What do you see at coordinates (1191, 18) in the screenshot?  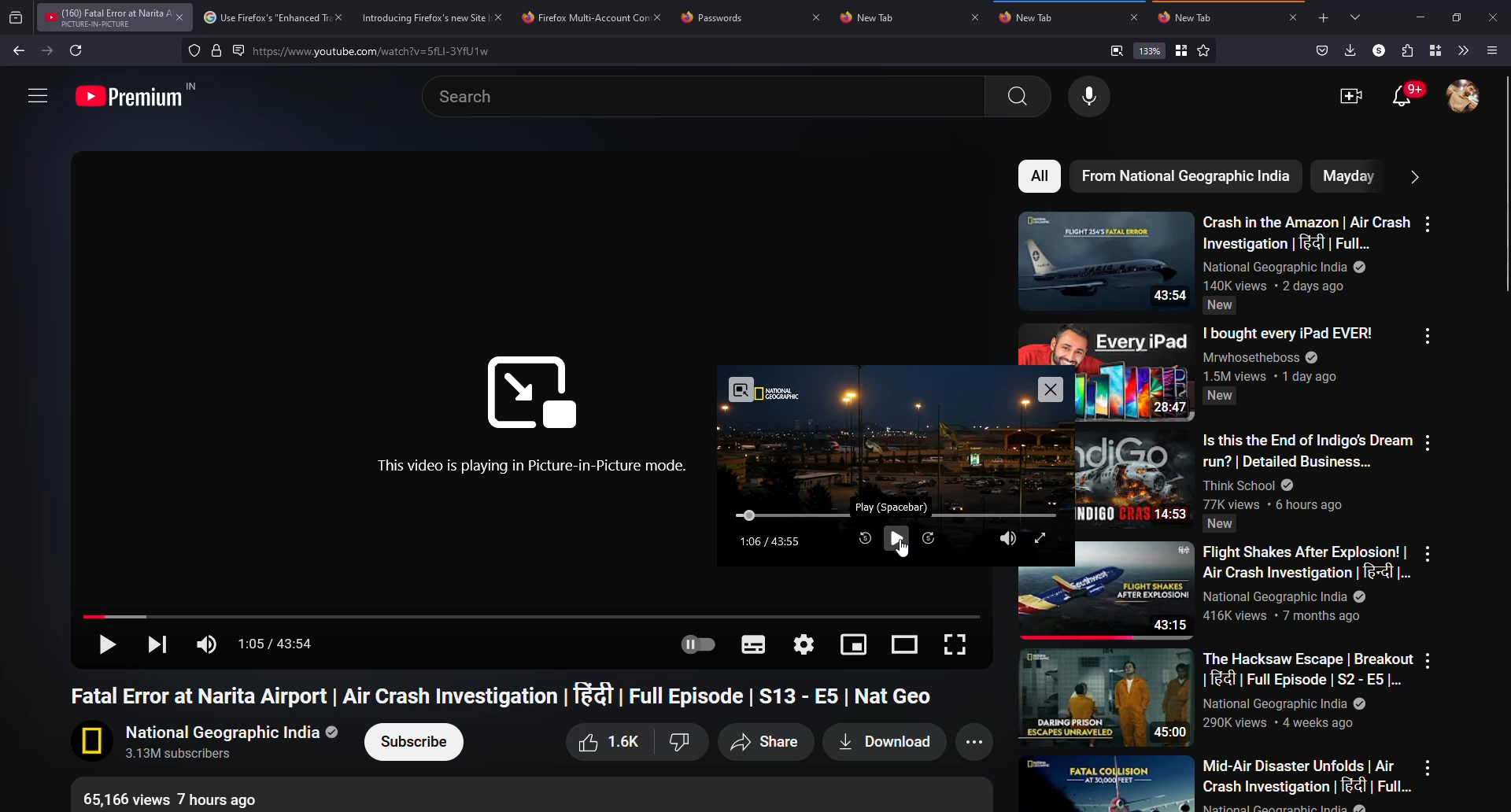 I see `tab` at bounding box center [1191, 18].